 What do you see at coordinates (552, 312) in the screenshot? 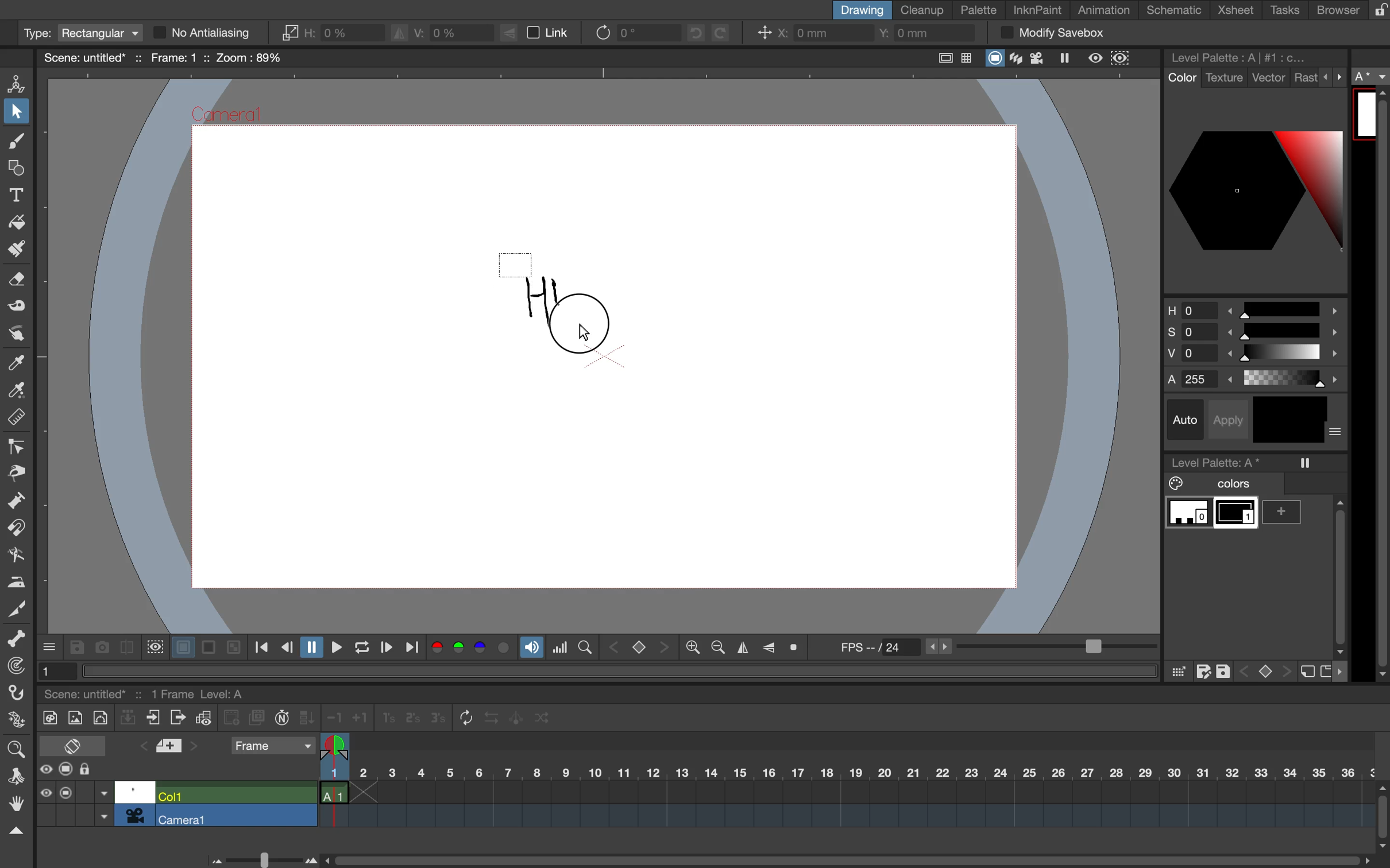
I see `drag cursor over drawing` at bounding box center [552, 312].